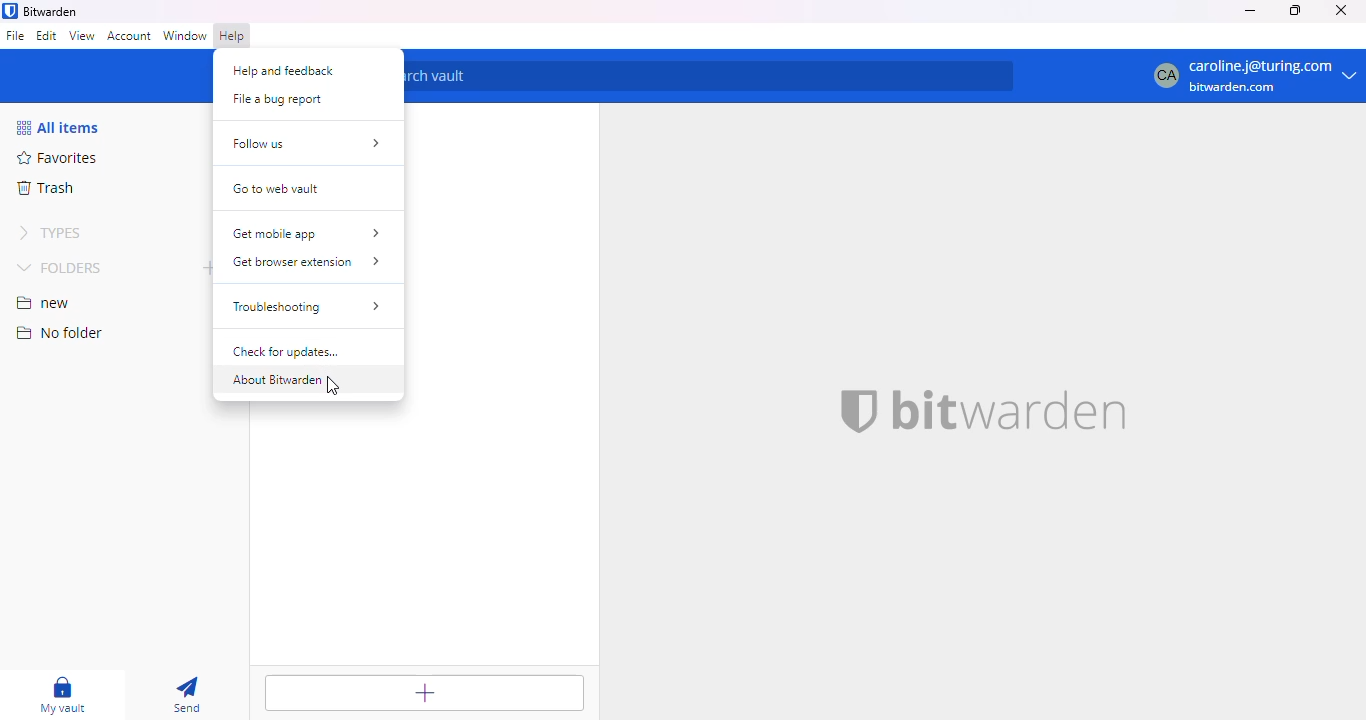 This screenshot has width=1366, height=720. Describe the element at coordinates (44, 303) in the screenshot. I see `new` at that location.